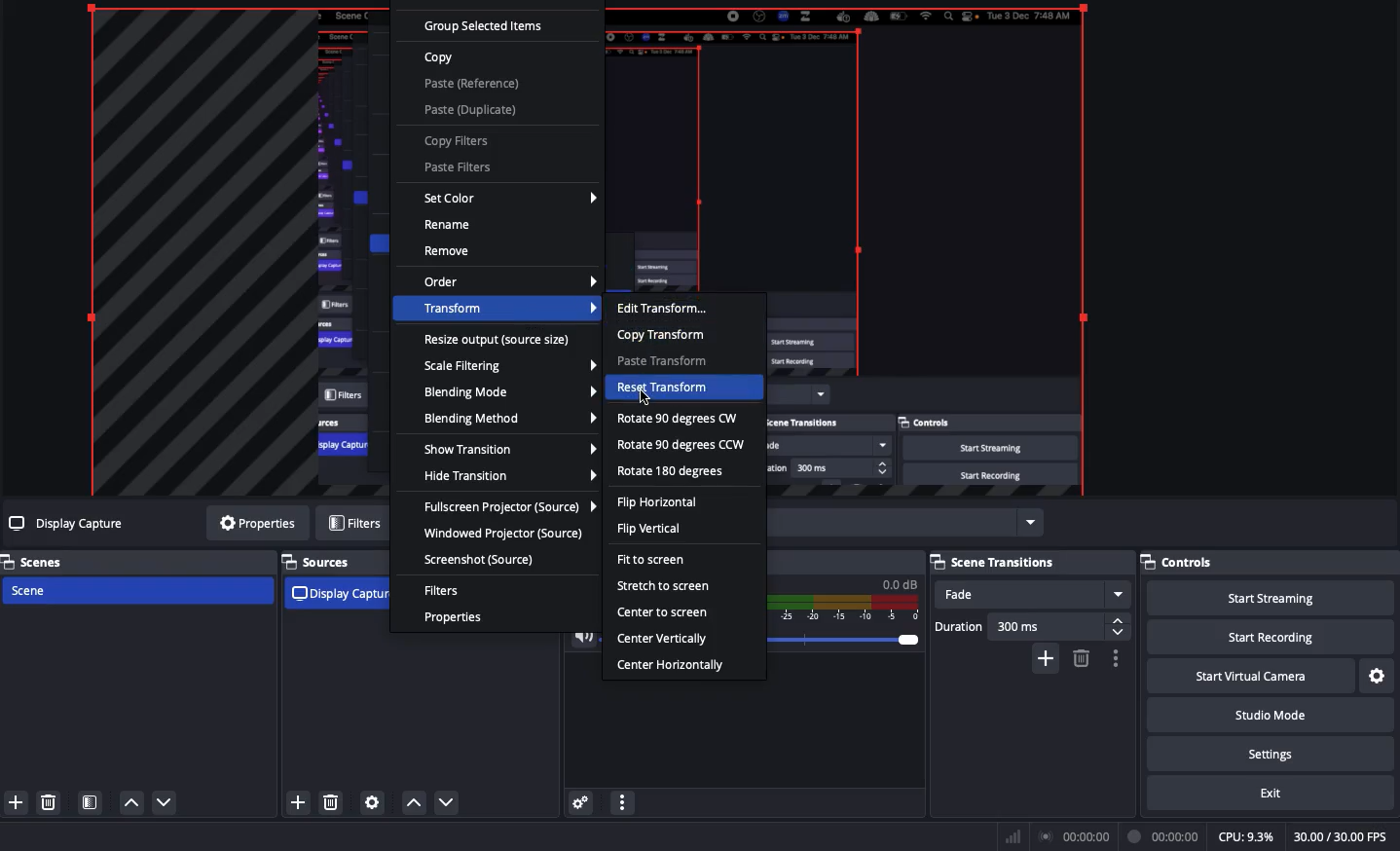 The width and height of the screenshot is (1400, 851). I want to click on Settings, so click(1377, 676).